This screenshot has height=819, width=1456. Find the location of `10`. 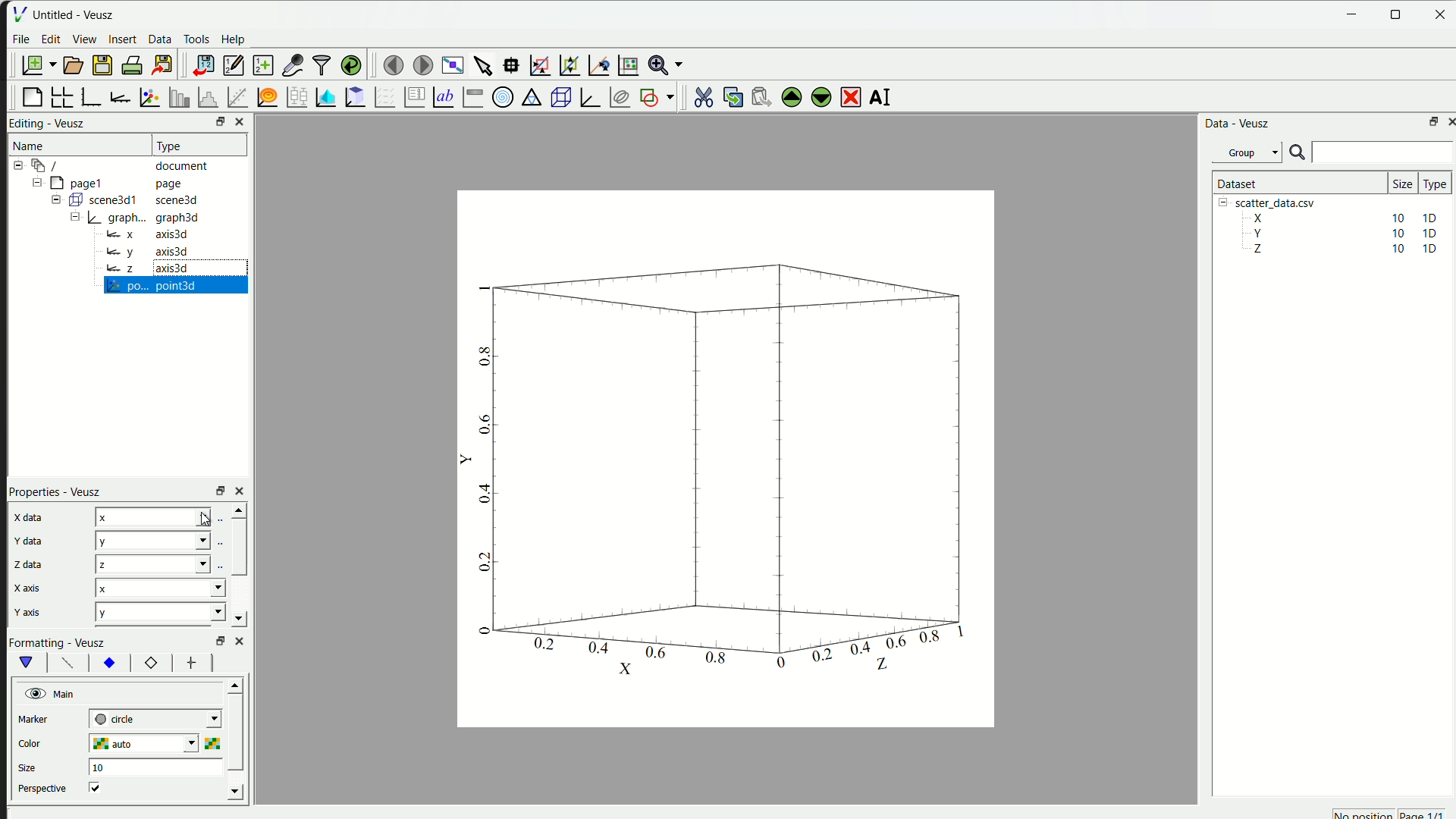

10 is located at coordinates (97, 767).